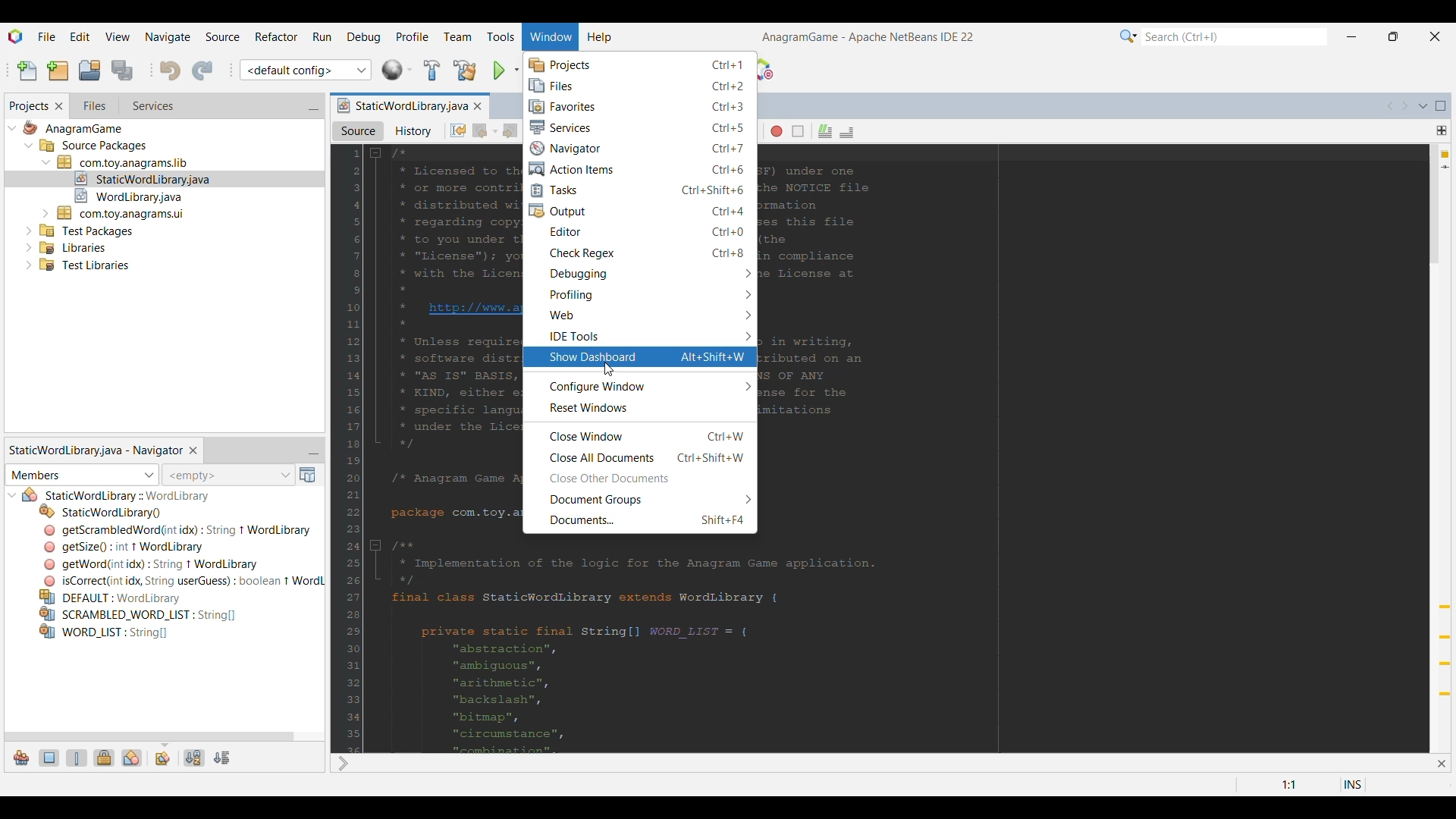  What do you see at coordinates (1436, 36) in the screenshot?
I see `Close interface` at bounding box center [1436, 36].